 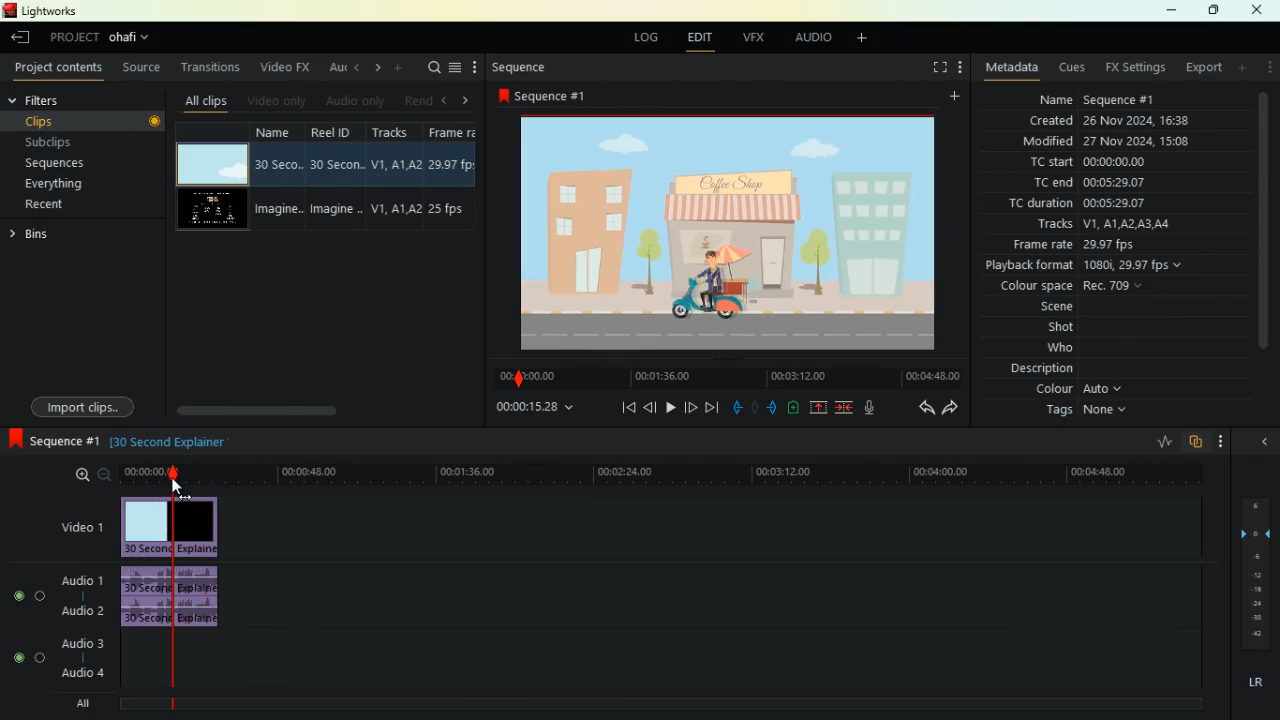 I want to click on time, so click(x=542, y=406).